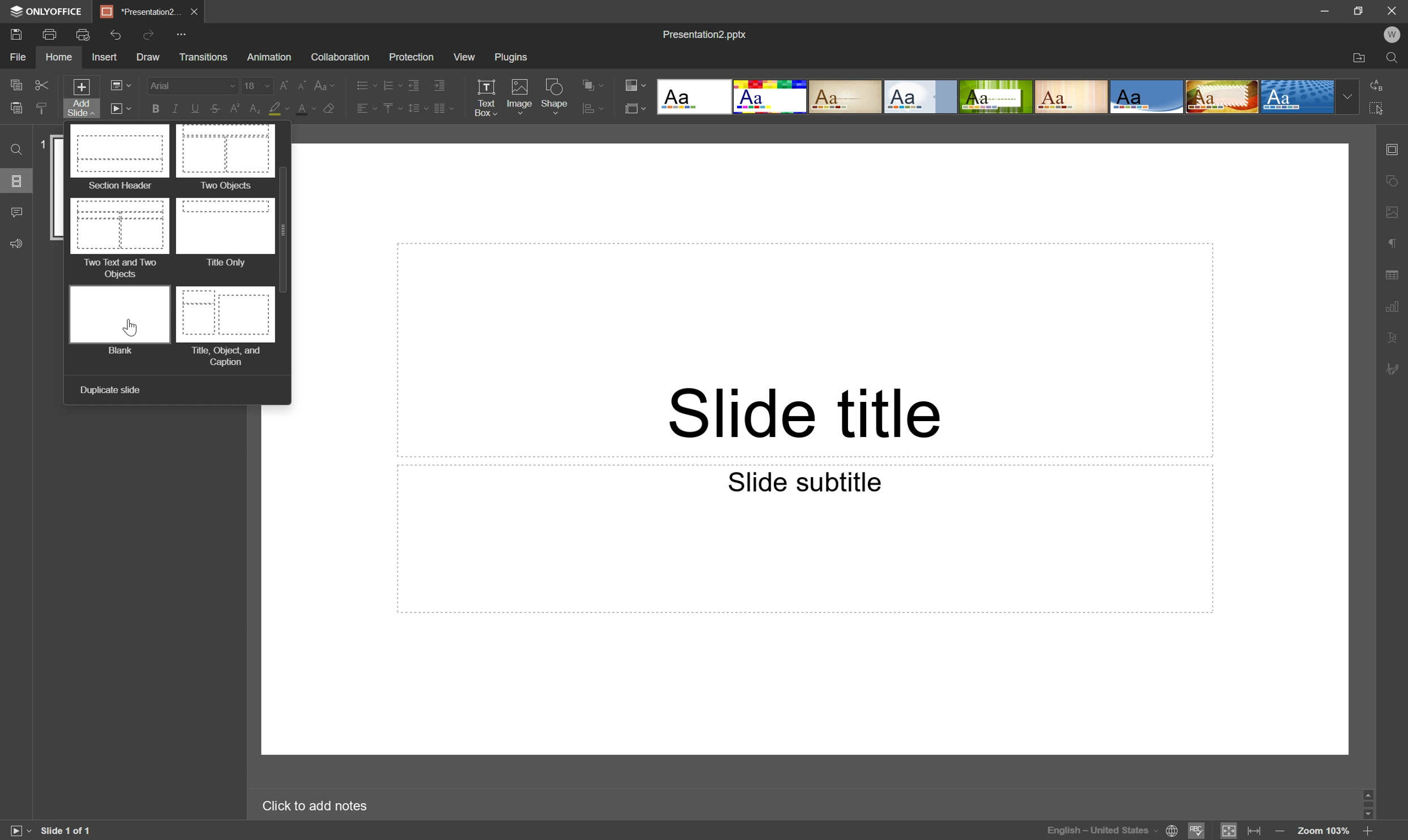 This screenshot has width=1408, height=840. What do you see at coordinates (1381, 85) in the screenshot?
I see `Replace` at bounding box center [1381, 85].